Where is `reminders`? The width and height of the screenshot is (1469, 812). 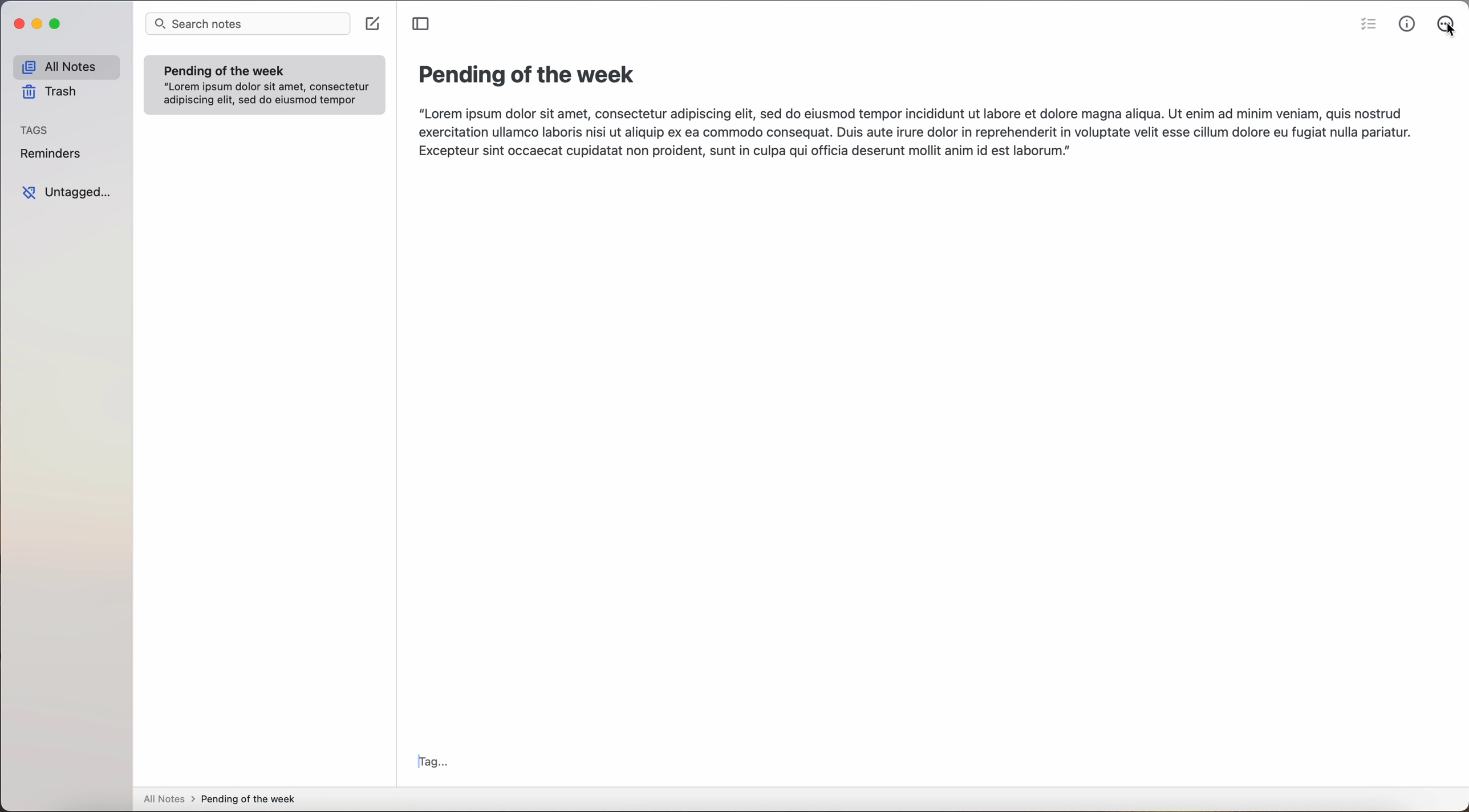 reminders is located at coordinates (53, 155).